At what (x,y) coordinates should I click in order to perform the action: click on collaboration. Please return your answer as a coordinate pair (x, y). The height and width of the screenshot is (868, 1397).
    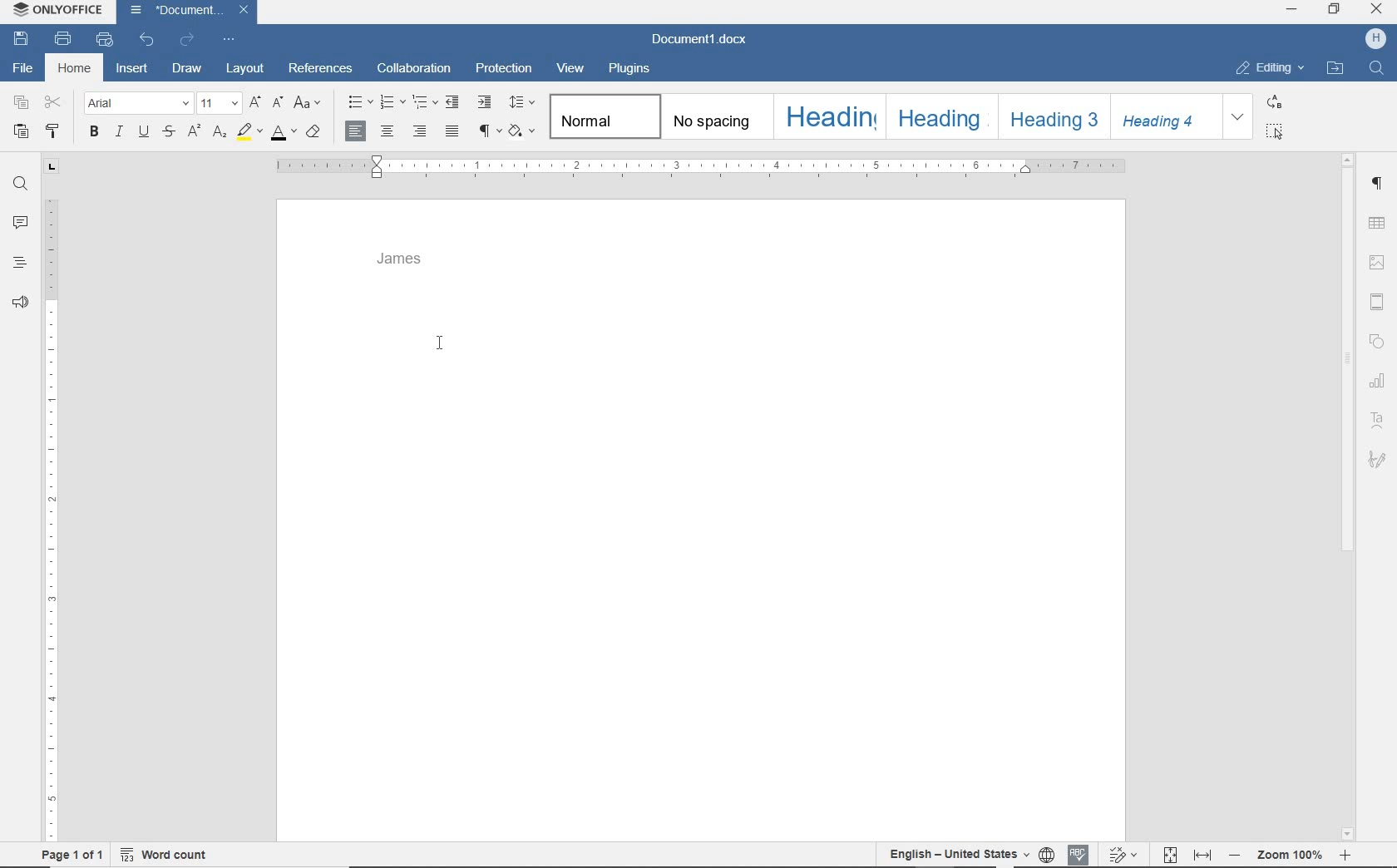
    Looking at the image, I should click on (416, 68).